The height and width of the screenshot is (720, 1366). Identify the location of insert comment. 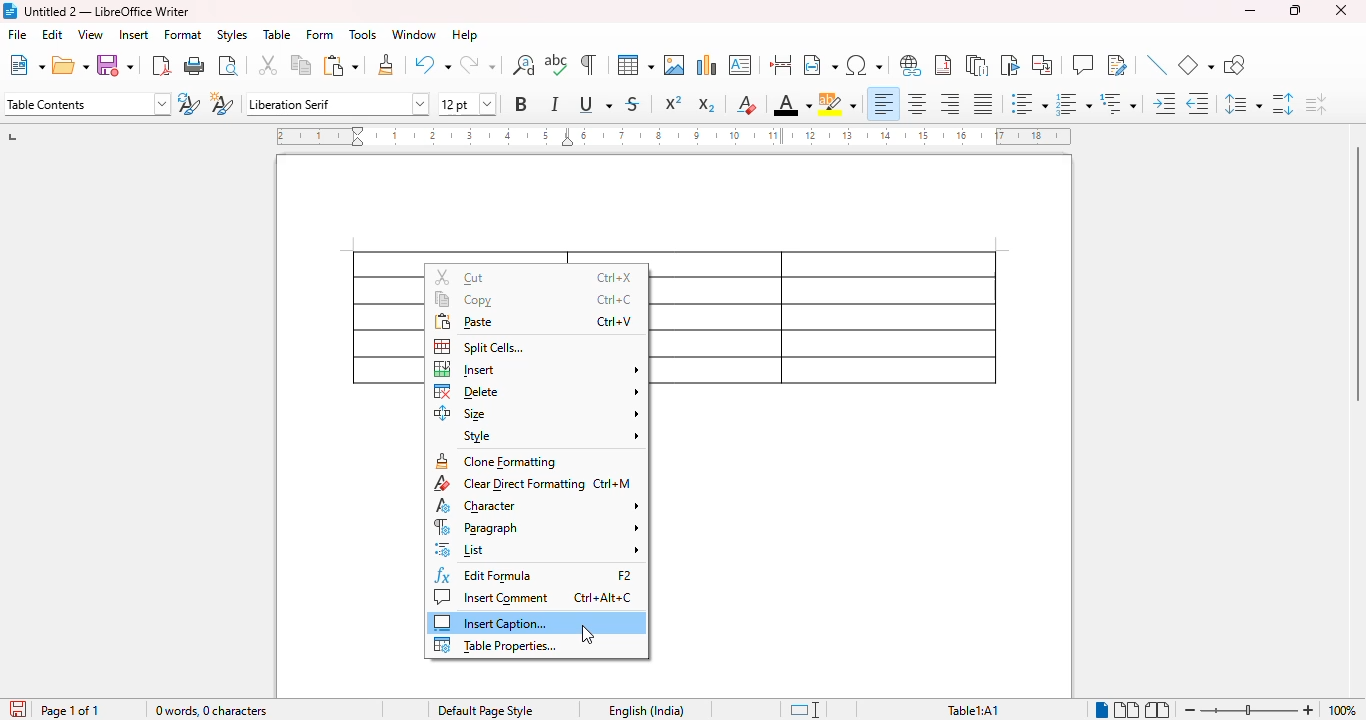
(1083, 64).